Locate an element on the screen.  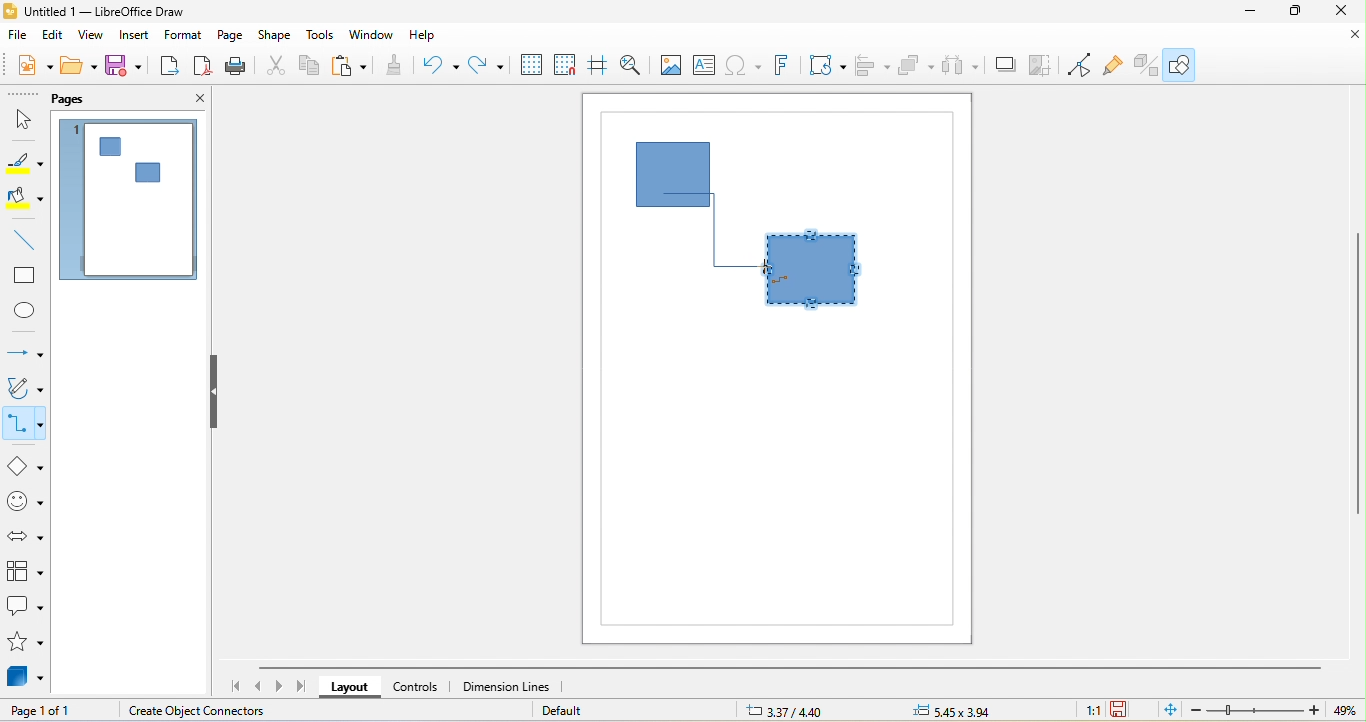
save is located at coordinates (122, 66).